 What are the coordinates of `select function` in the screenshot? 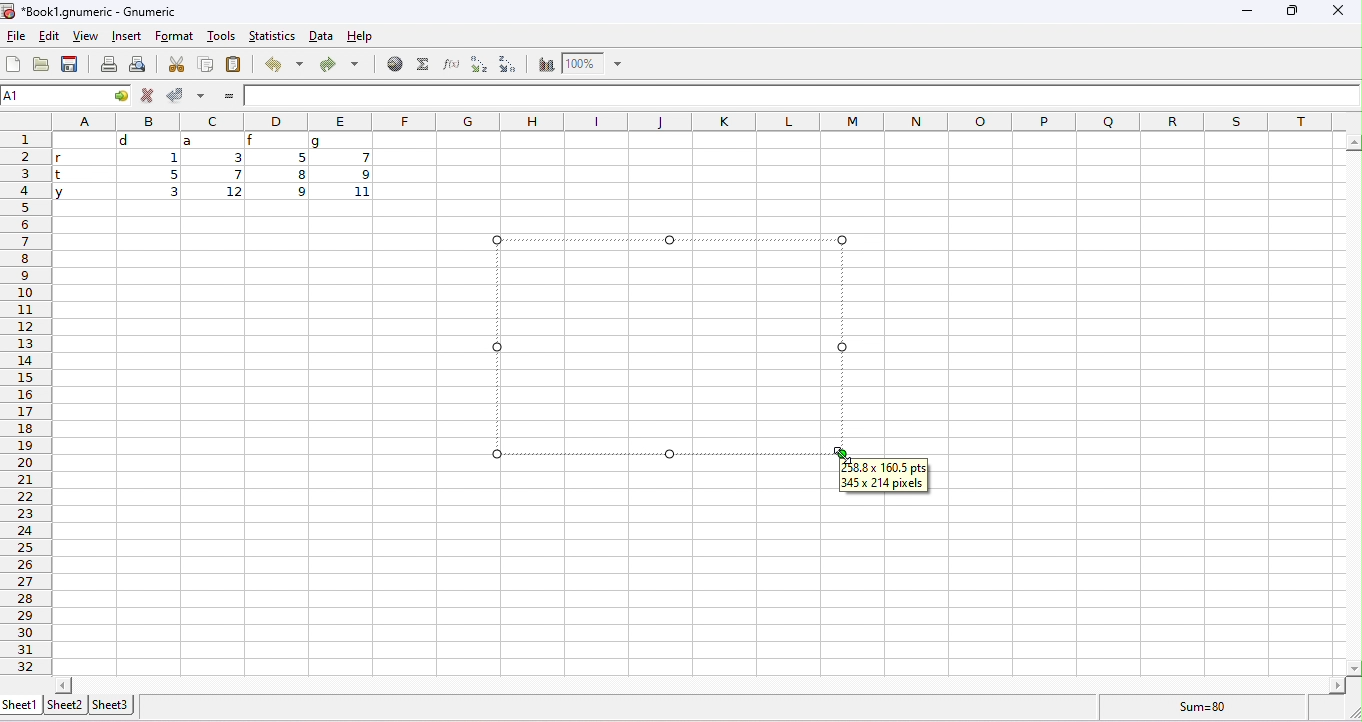 It's located at (421, 64).